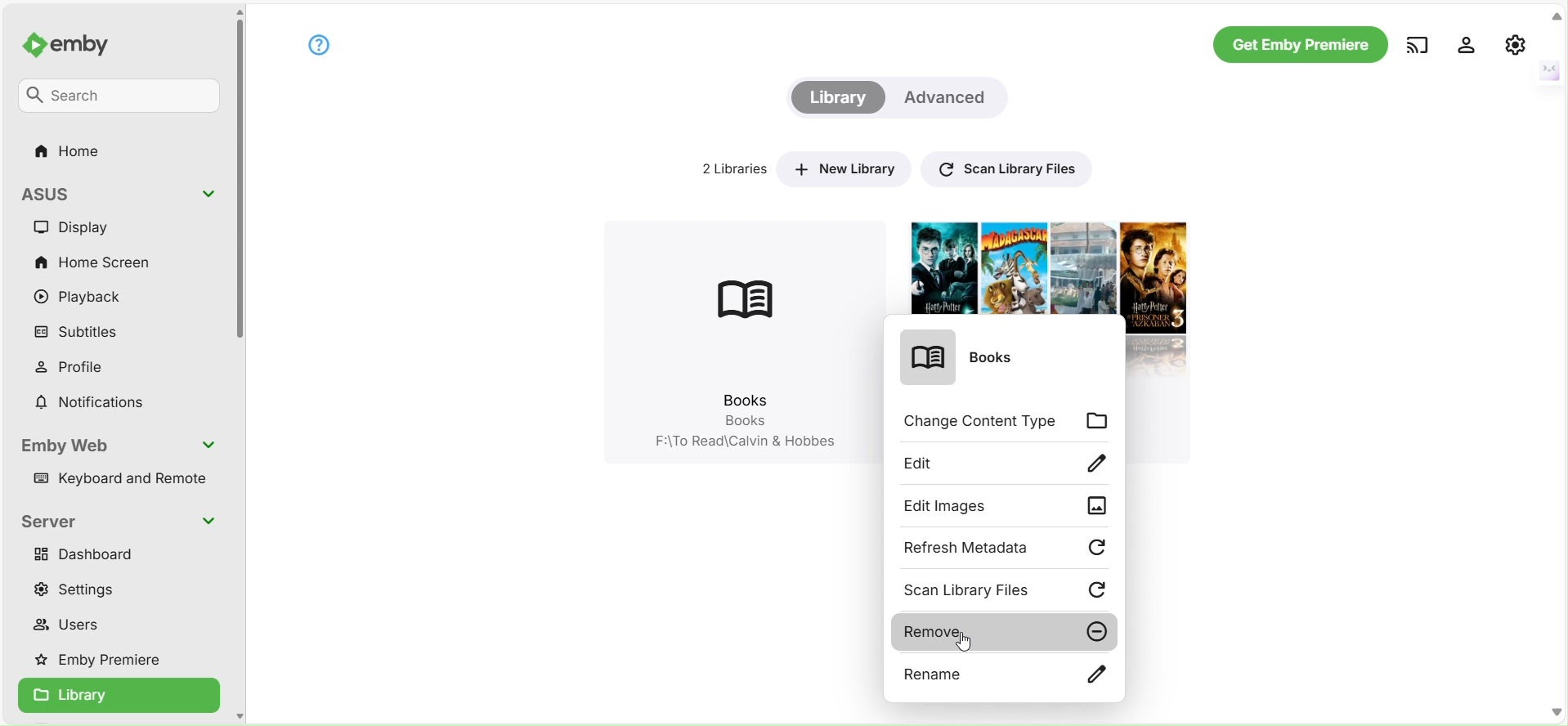  What do you see at coordinates (737, 321) in the screenshot?
I see `library: Books` at bounding box center [737, 321].